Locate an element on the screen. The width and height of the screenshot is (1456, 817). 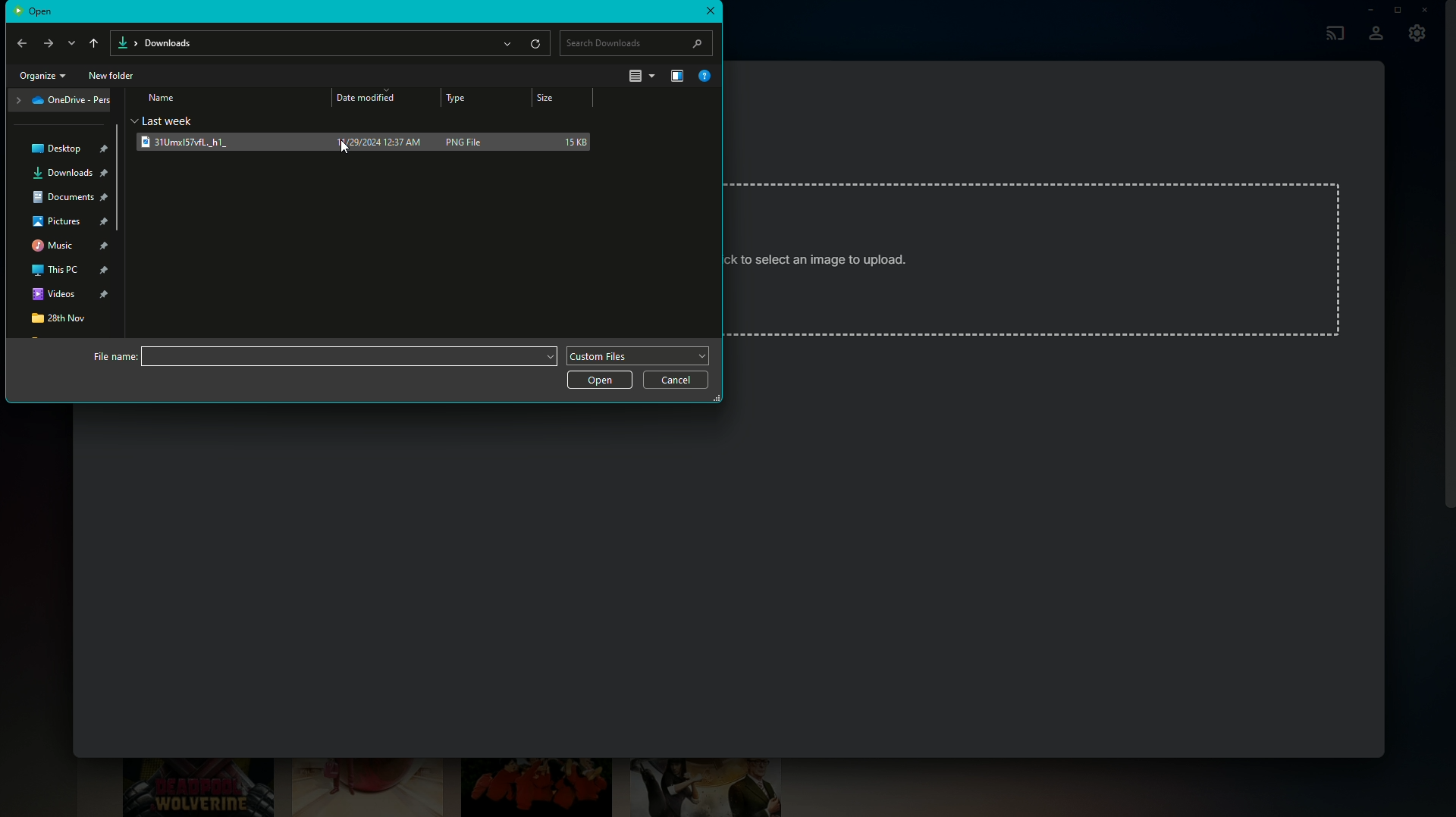
Organise is located at coordinates (45, 77).